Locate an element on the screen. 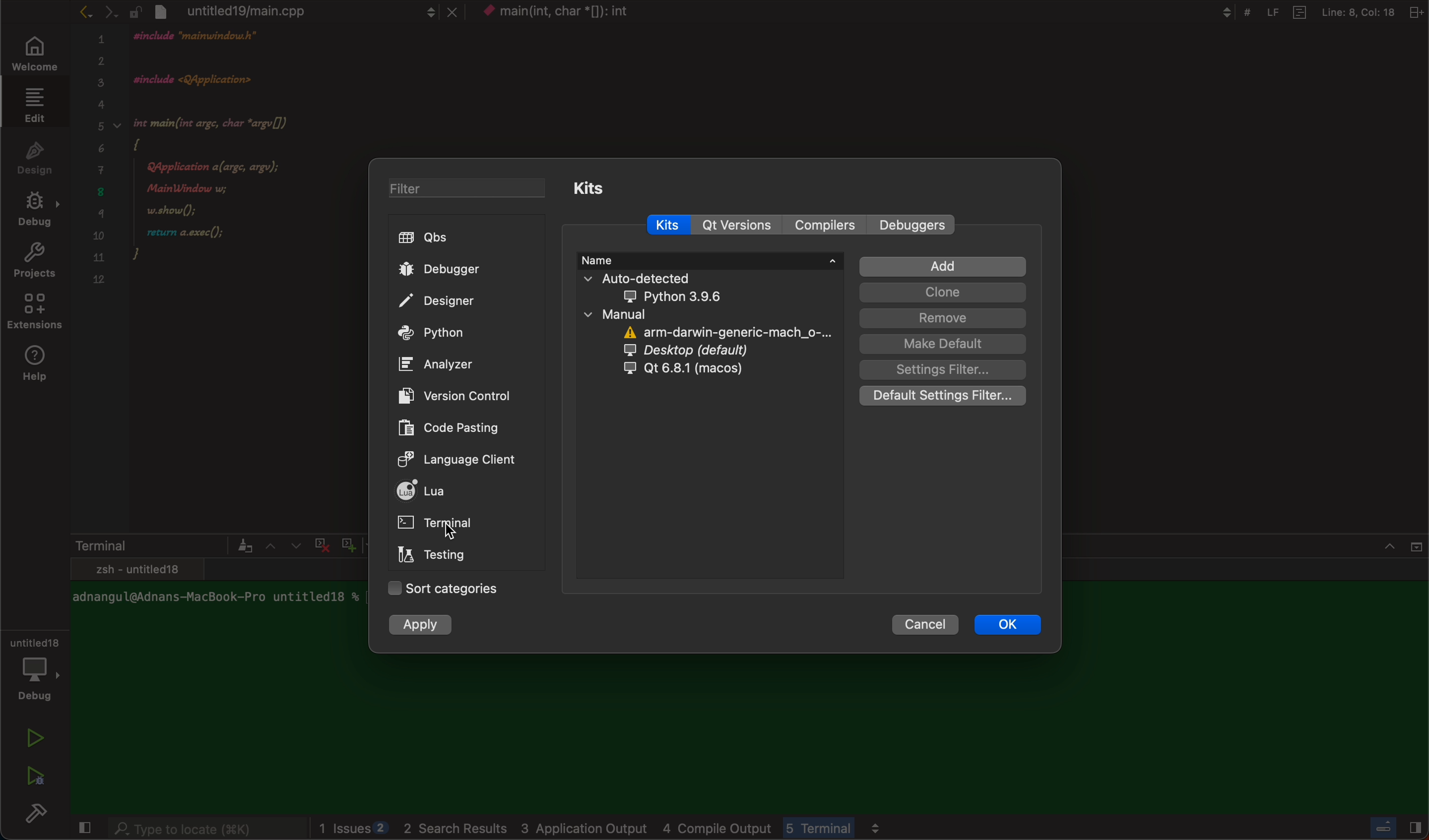 The image size is (1429, 840). file name is located at coordinates (576, 14).